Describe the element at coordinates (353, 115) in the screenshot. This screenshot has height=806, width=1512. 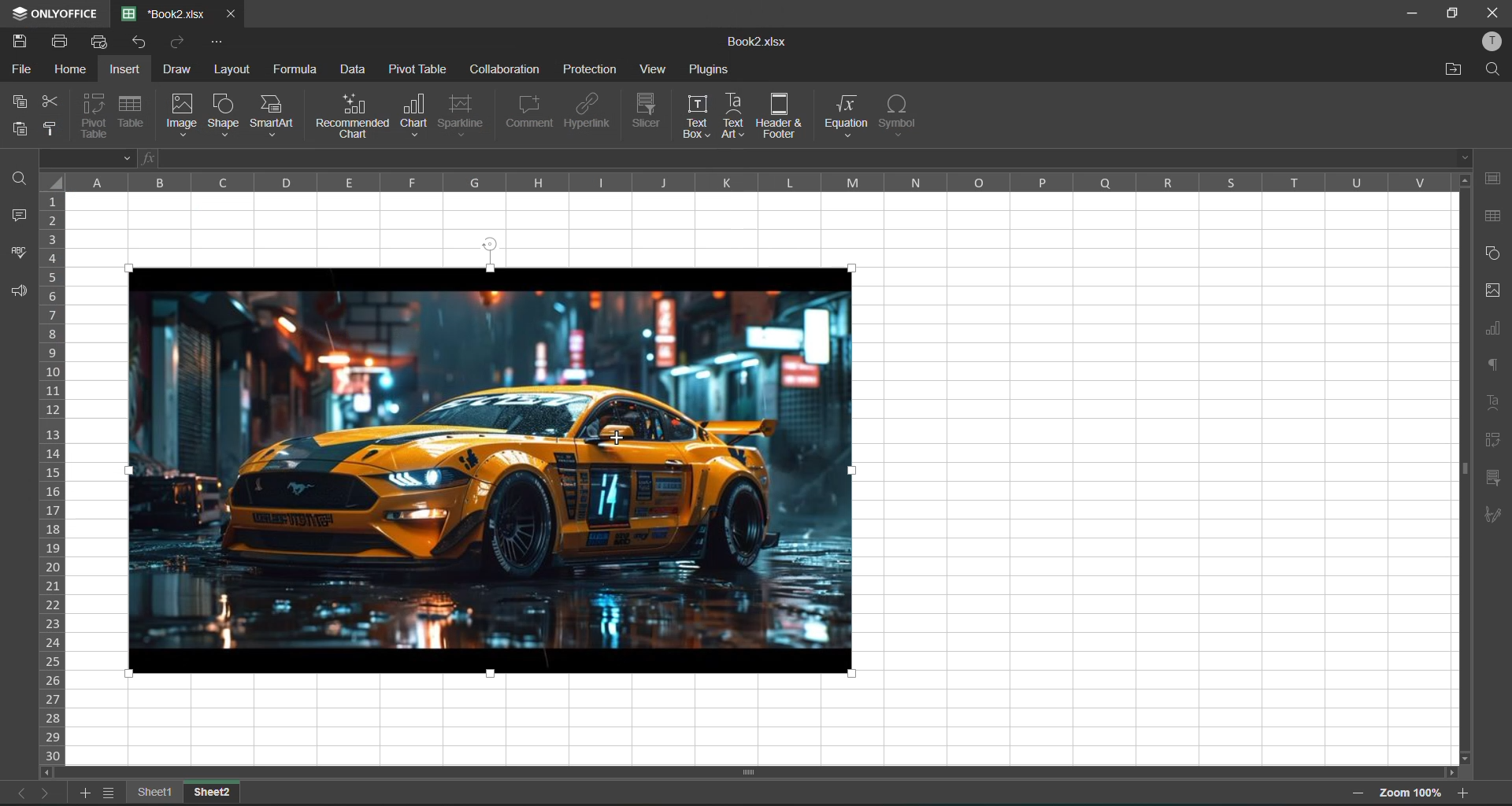
I see `recommended chart` at that location.